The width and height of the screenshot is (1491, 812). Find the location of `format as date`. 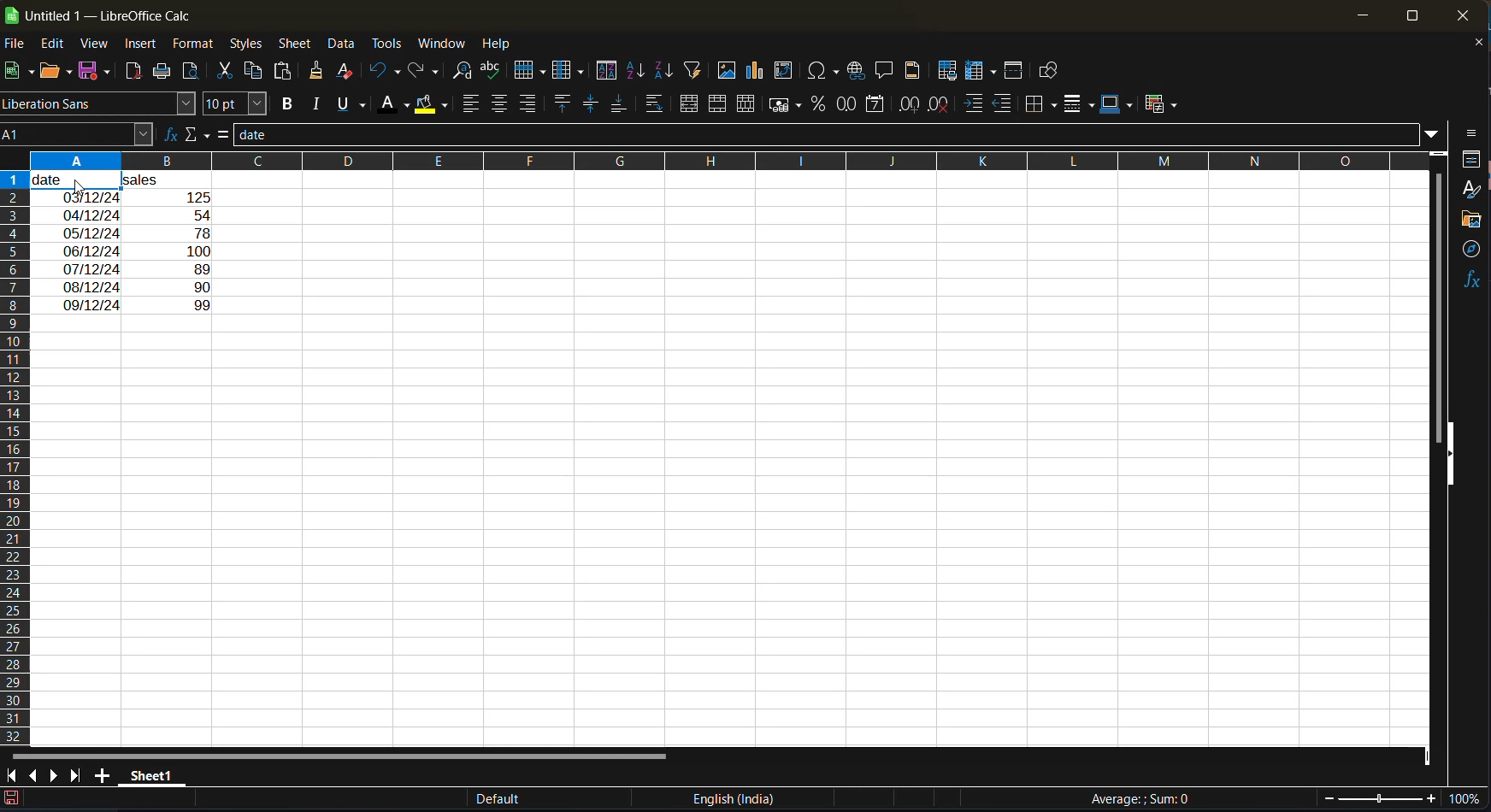

format as date is located at coordinates (880, 105).